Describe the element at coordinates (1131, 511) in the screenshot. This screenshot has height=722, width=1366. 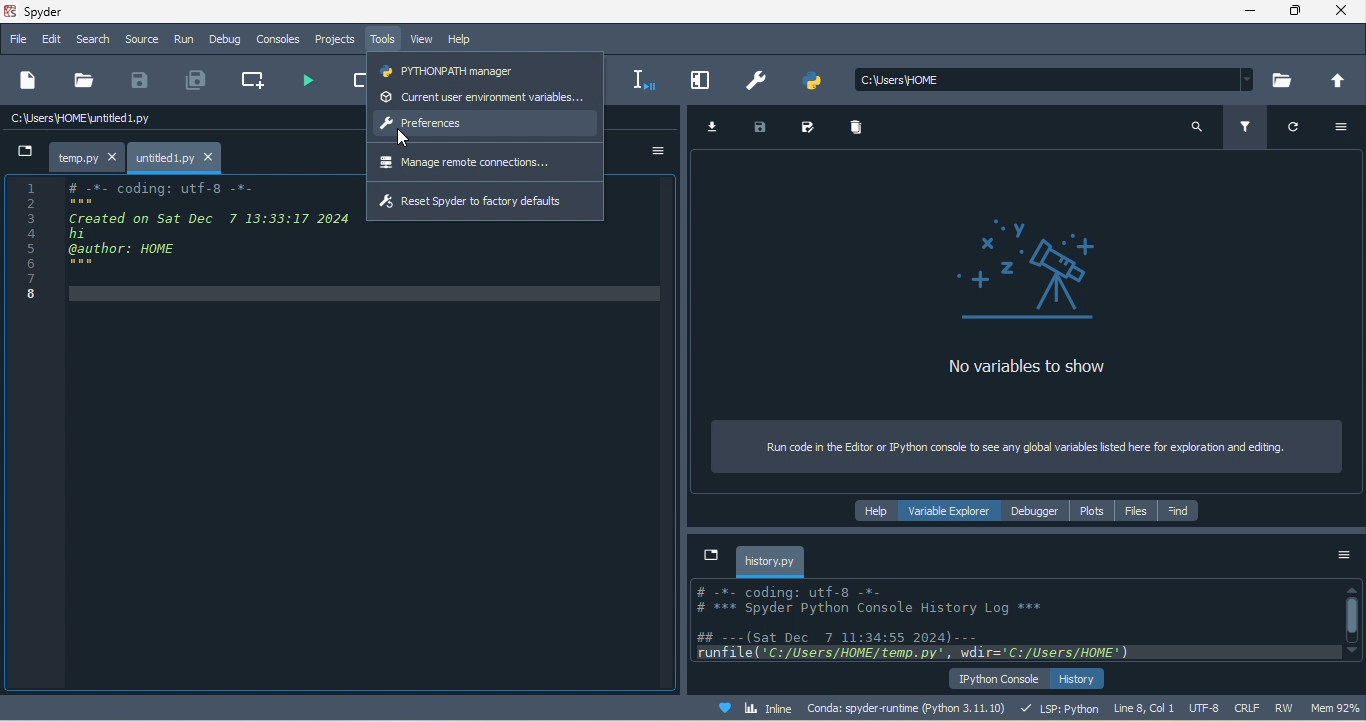
I see `files` at that location.